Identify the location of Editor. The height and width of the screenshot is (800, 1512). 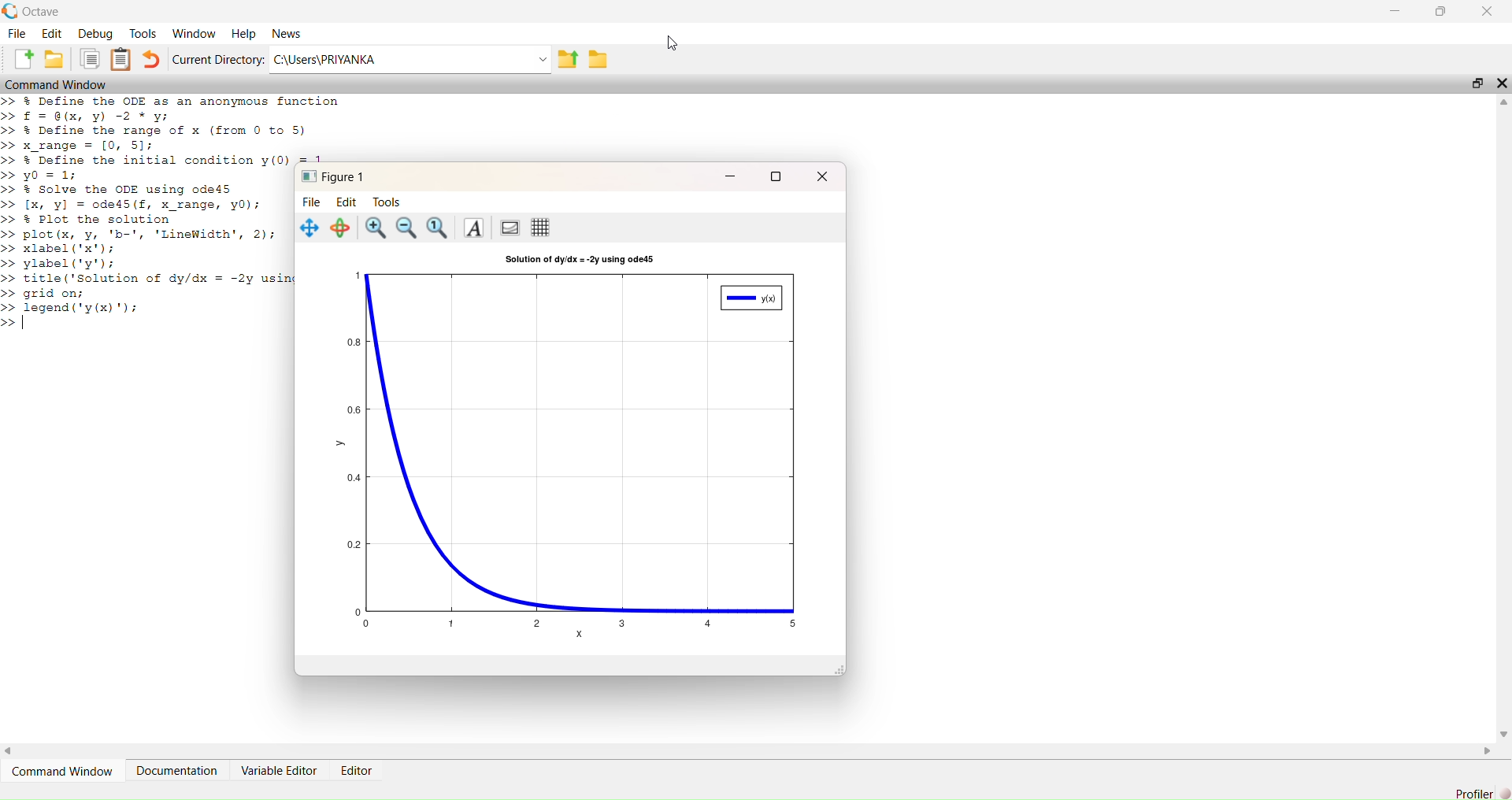
(357, 770).